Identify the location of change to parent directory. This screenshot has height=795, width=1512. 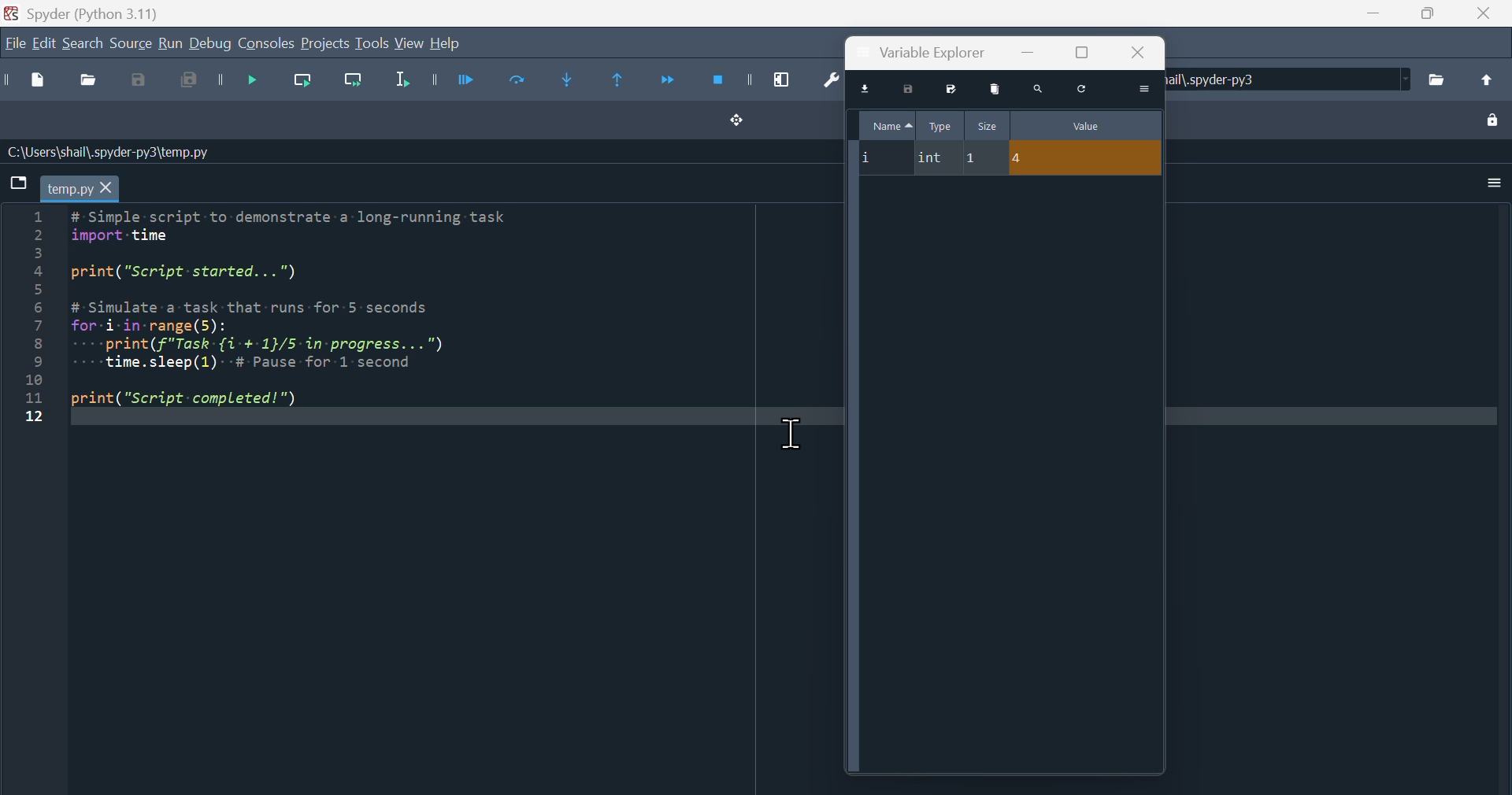
(1486, 79).